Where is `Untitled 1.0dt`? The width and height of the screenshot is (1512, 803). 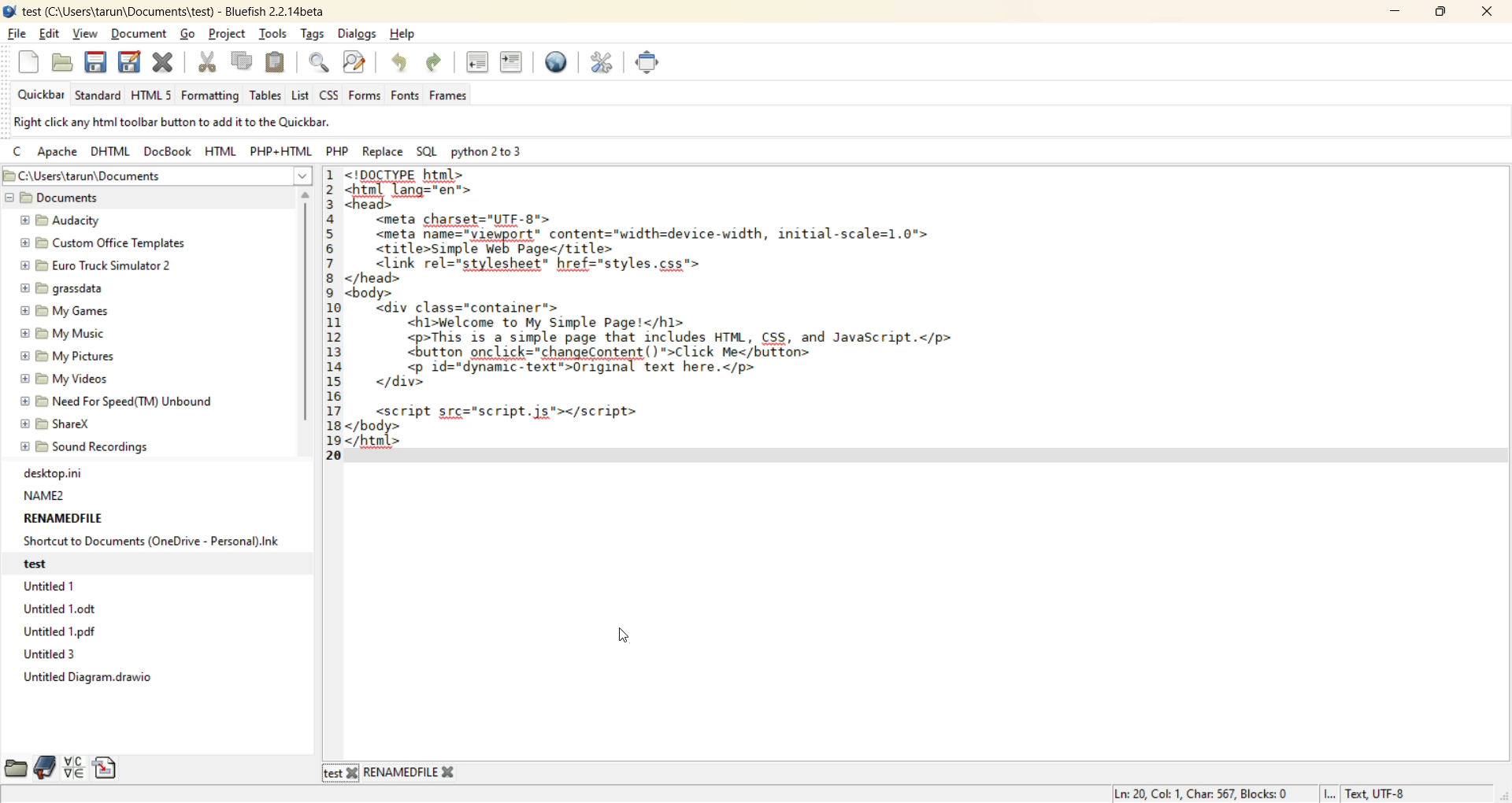 Untitled 1.0dt is located at coordinates (73, 608).